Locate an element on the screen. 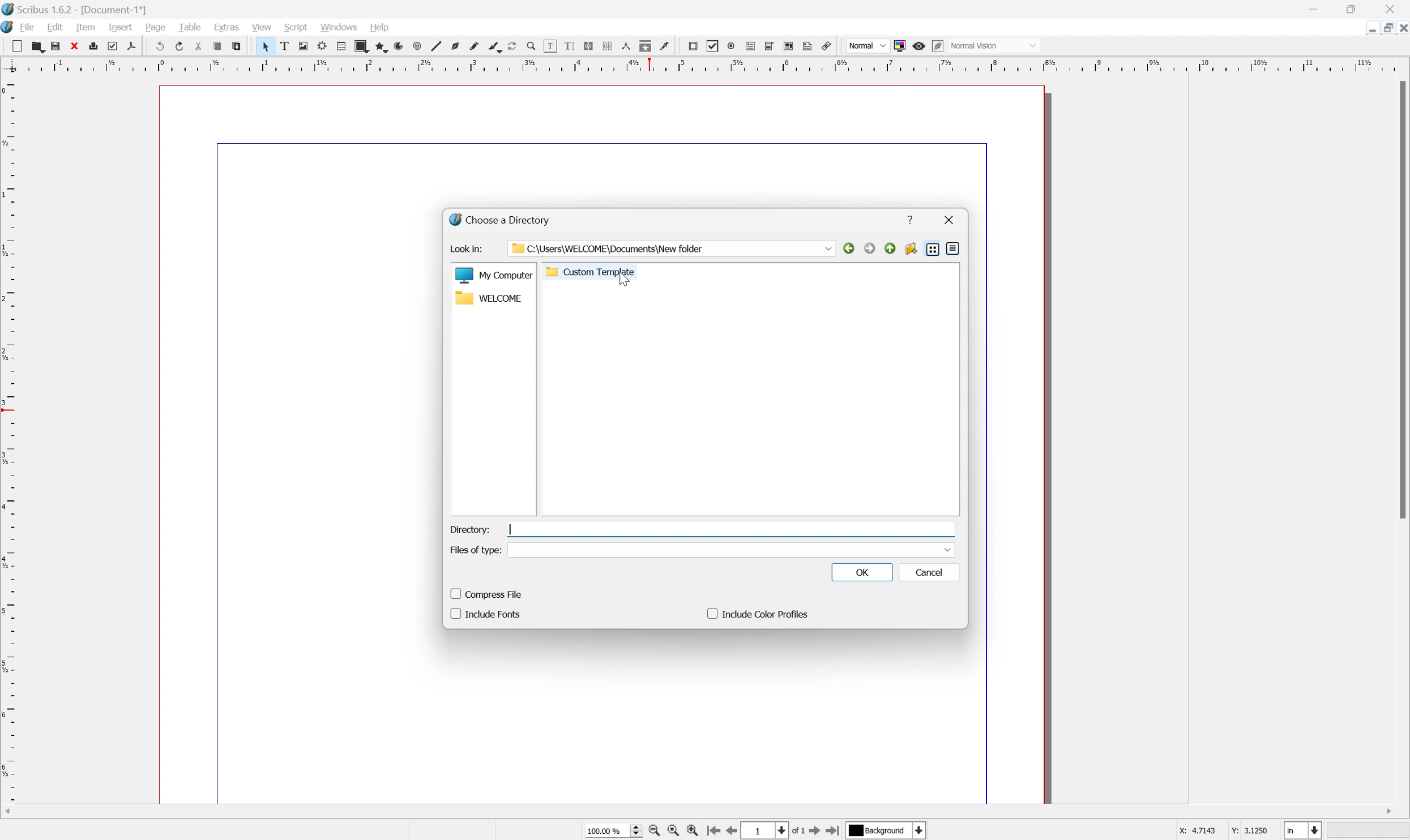 The image size is (1410, 840). Go to next page is located at coordinates (817, 830).